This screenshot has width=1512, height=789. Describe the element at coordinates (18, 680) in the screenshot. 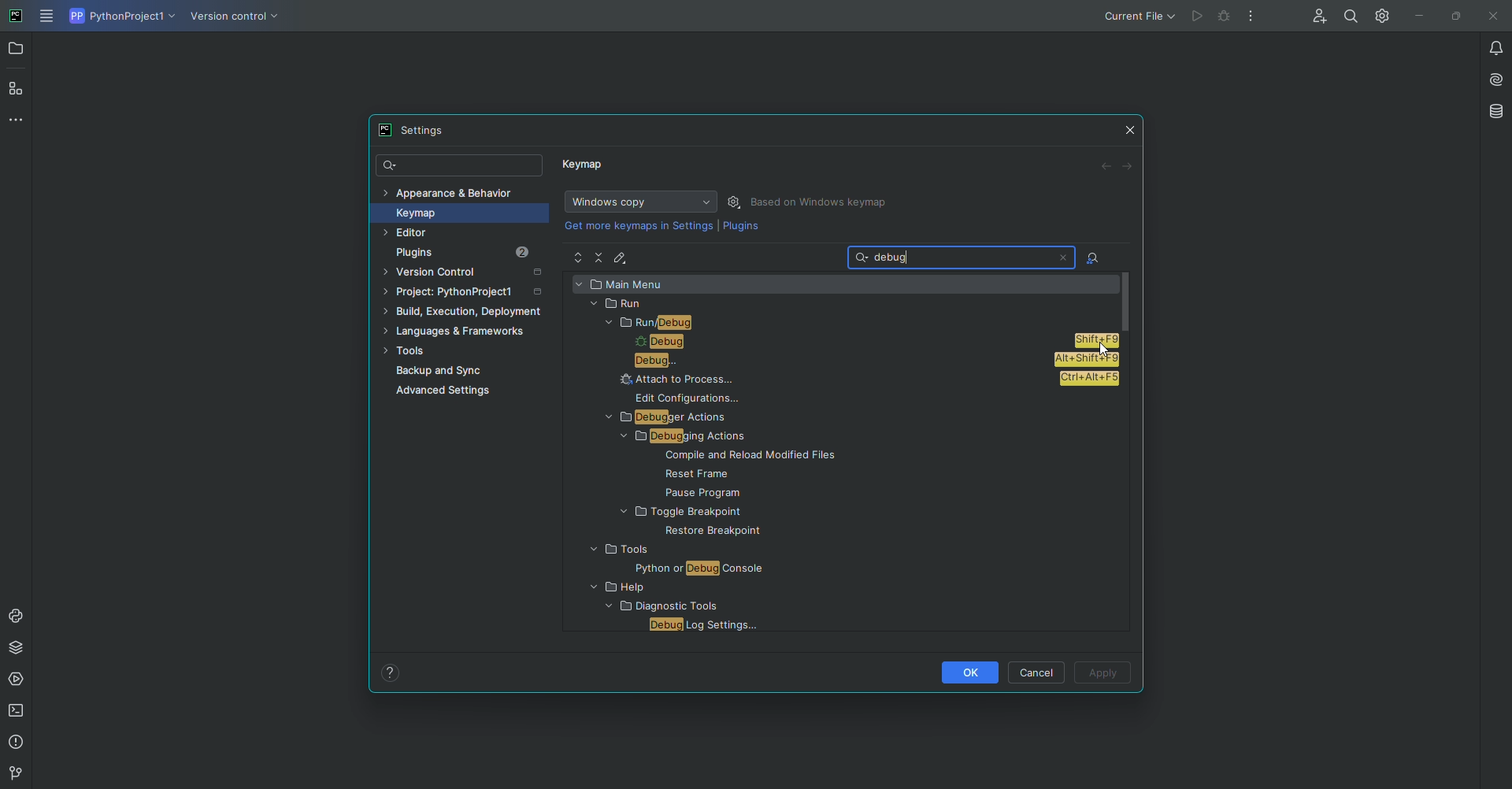

I see `Services` at that location.